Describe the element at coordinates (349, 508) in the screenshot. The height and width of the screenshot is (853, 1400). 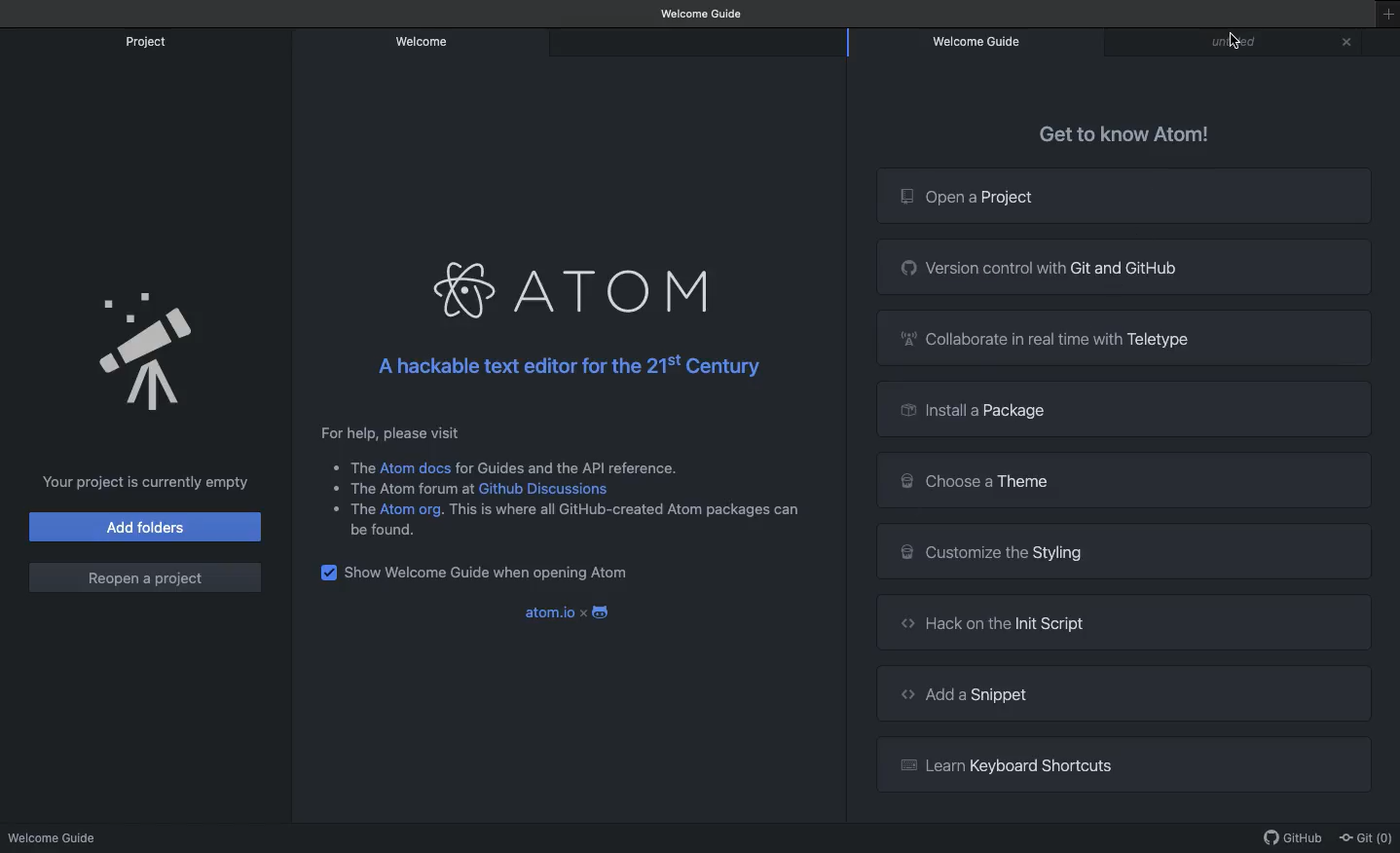
I see `list item` at that location.